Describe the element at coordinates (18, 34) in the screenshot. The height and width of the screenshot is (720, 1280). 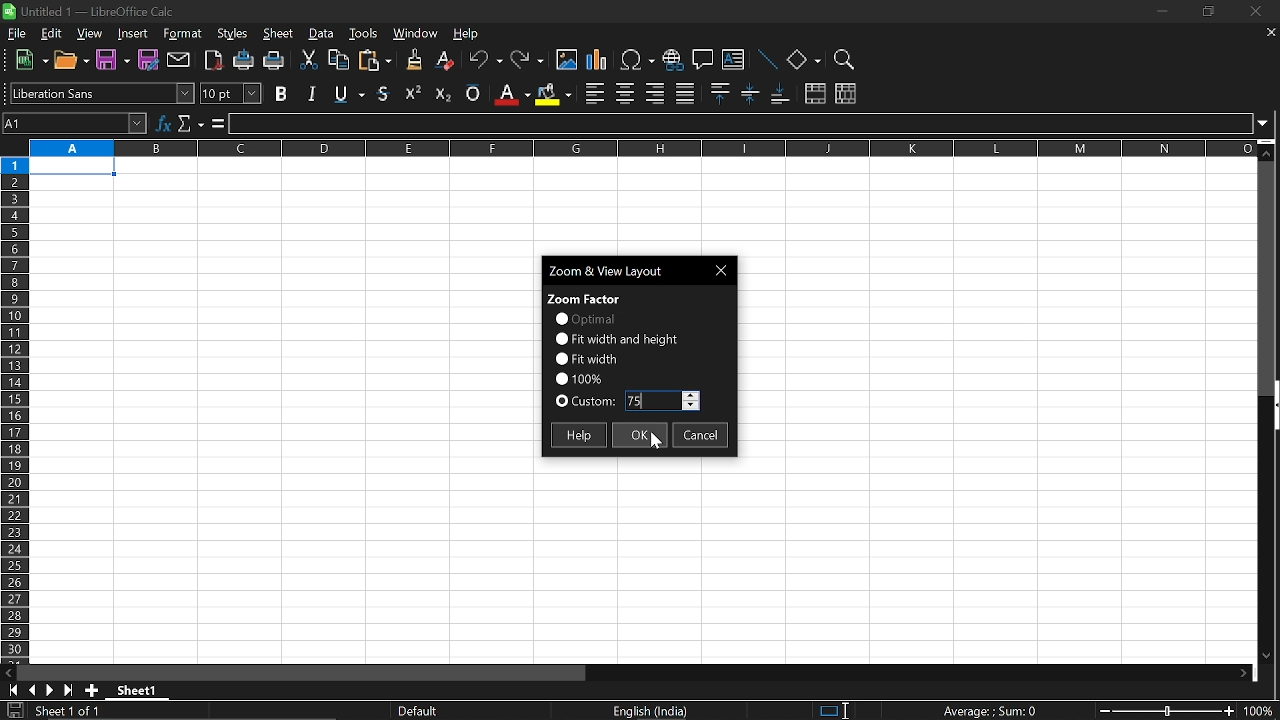
I see `file` at that location.